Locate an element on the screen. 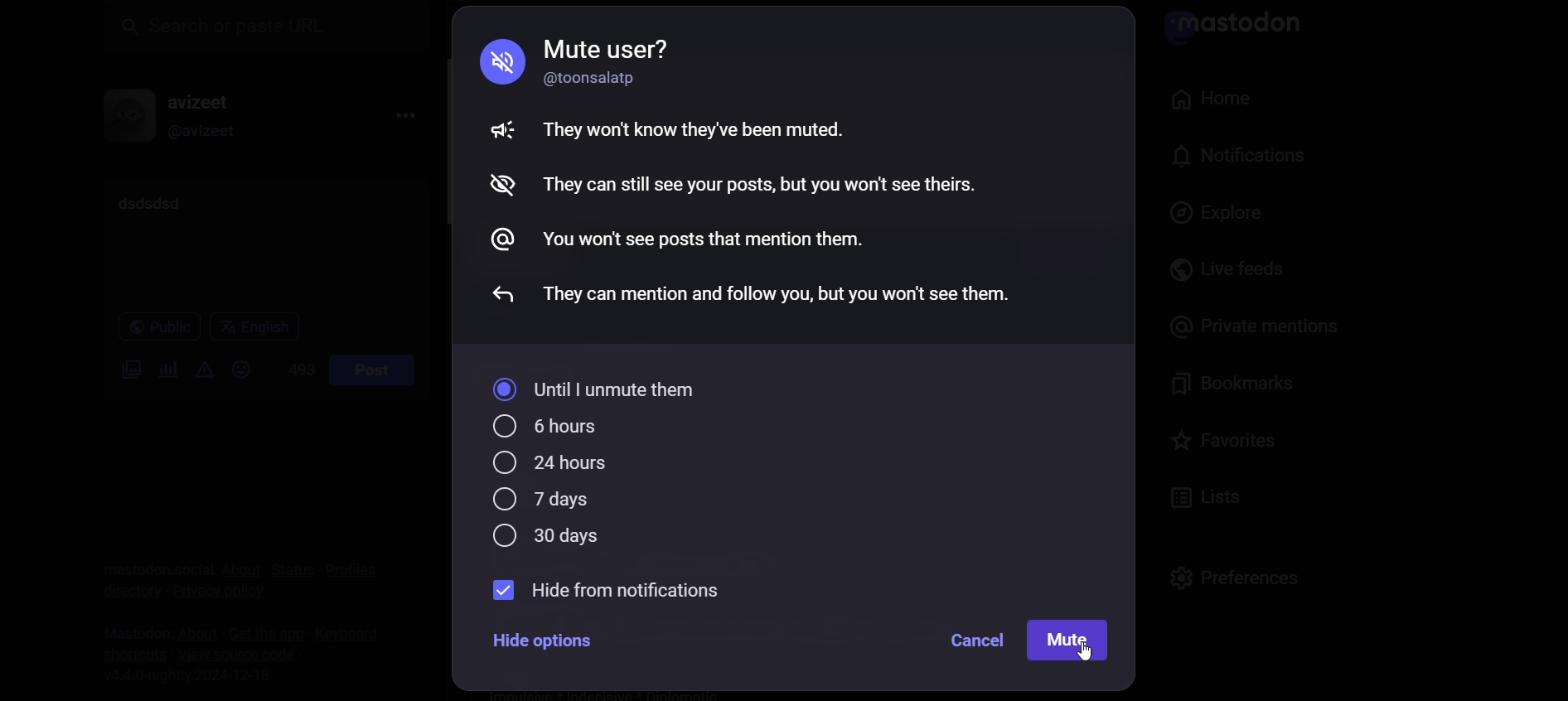 The width and height of the screenshot is (1568, 701). mute inforrmation is located at coordinates (701, 130).